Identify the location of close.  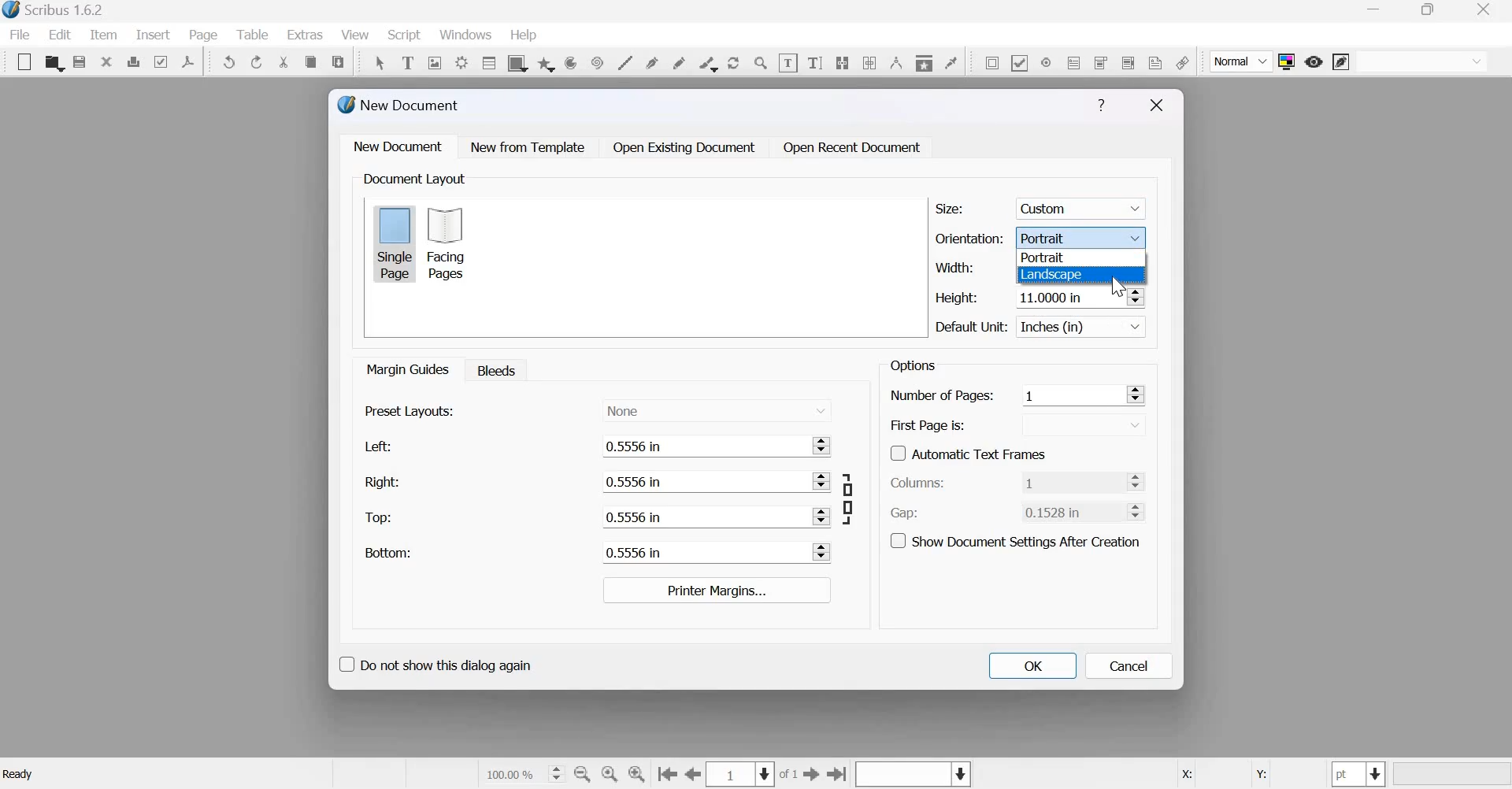
(1488, 9).